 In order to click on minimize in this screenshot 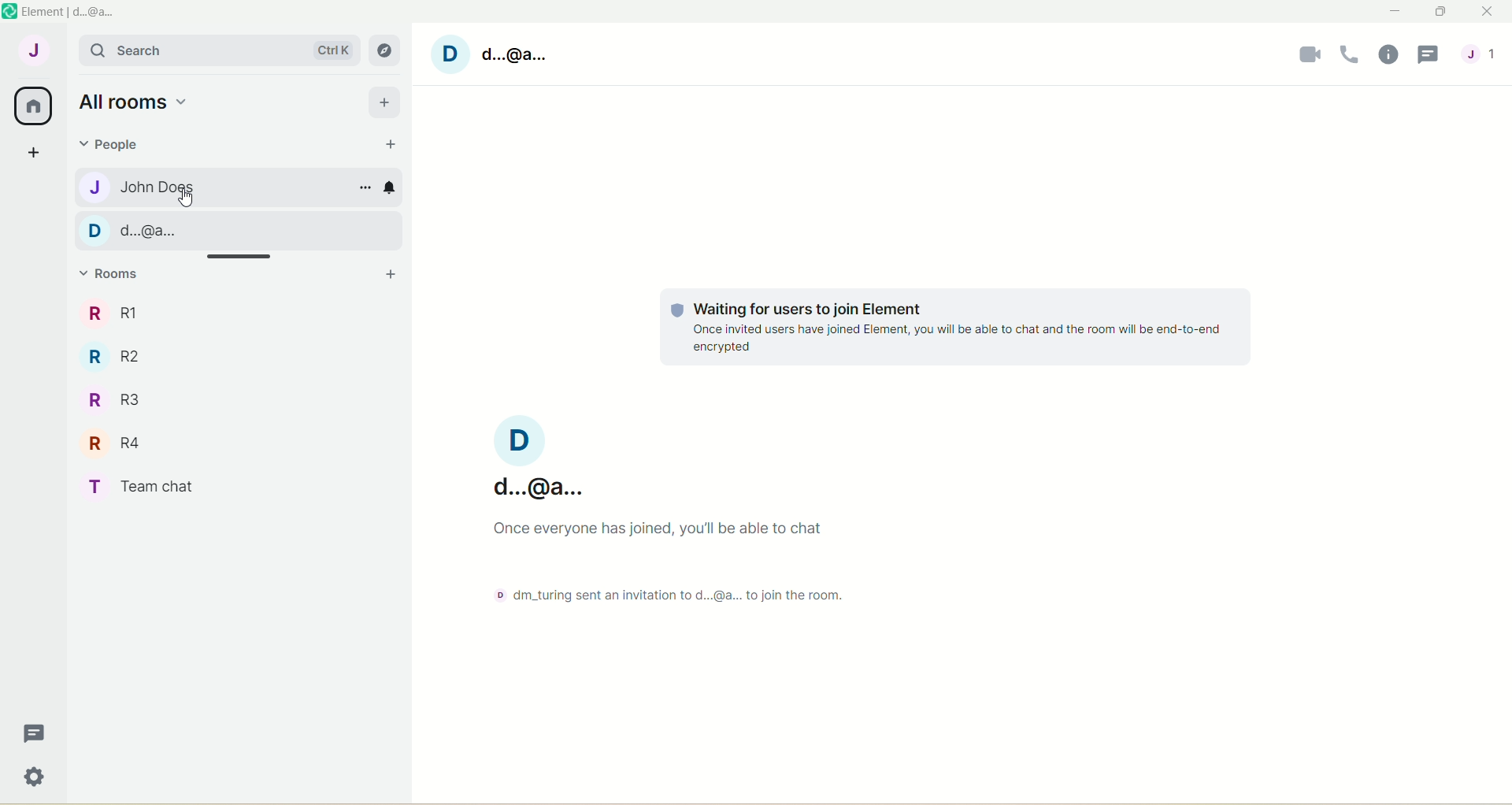, I will do `click(1392, 11)`.